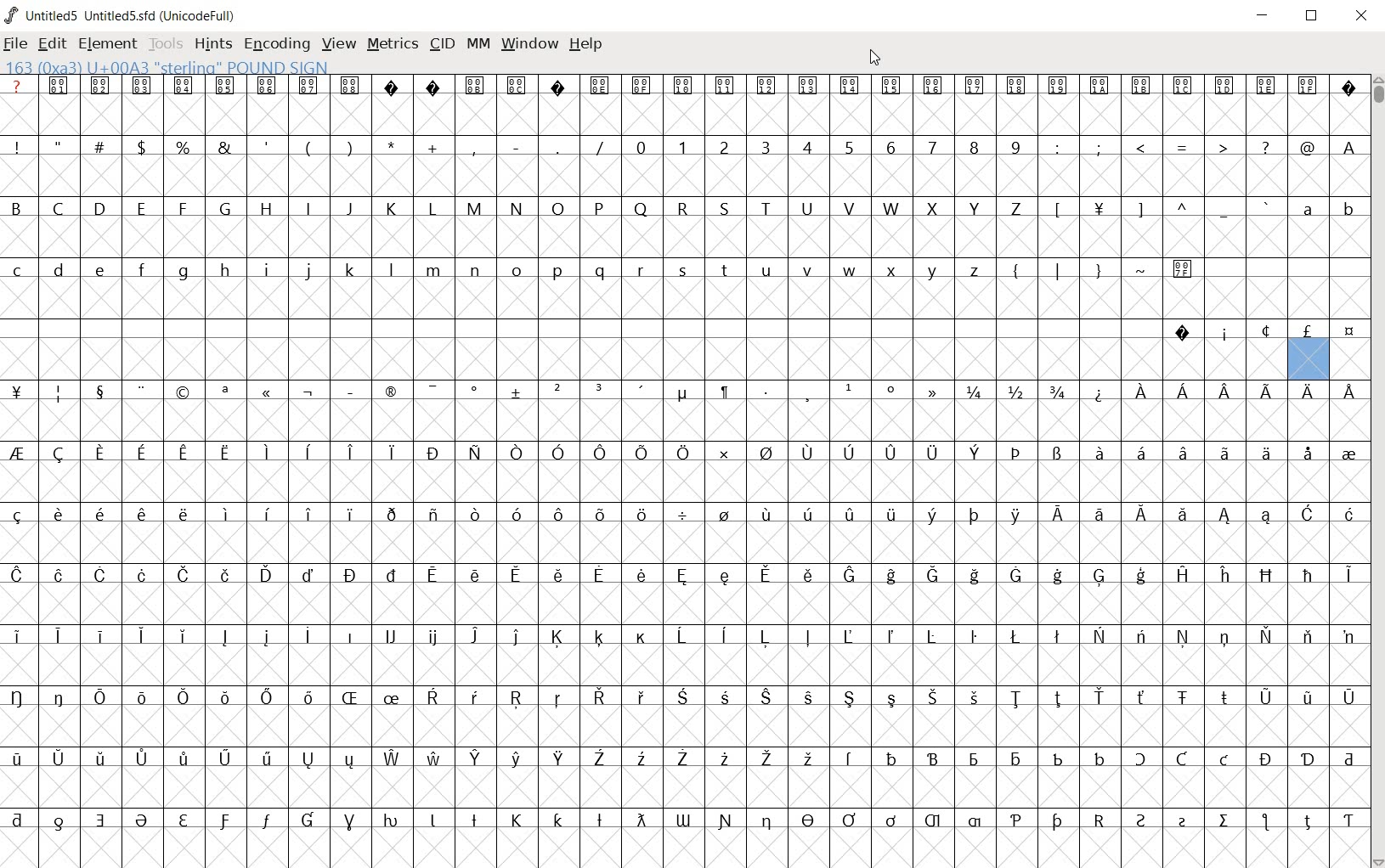 Image resolution: width=1385 pixels, height=868 pixels. I want to click on Symbol, so click(765, 576).